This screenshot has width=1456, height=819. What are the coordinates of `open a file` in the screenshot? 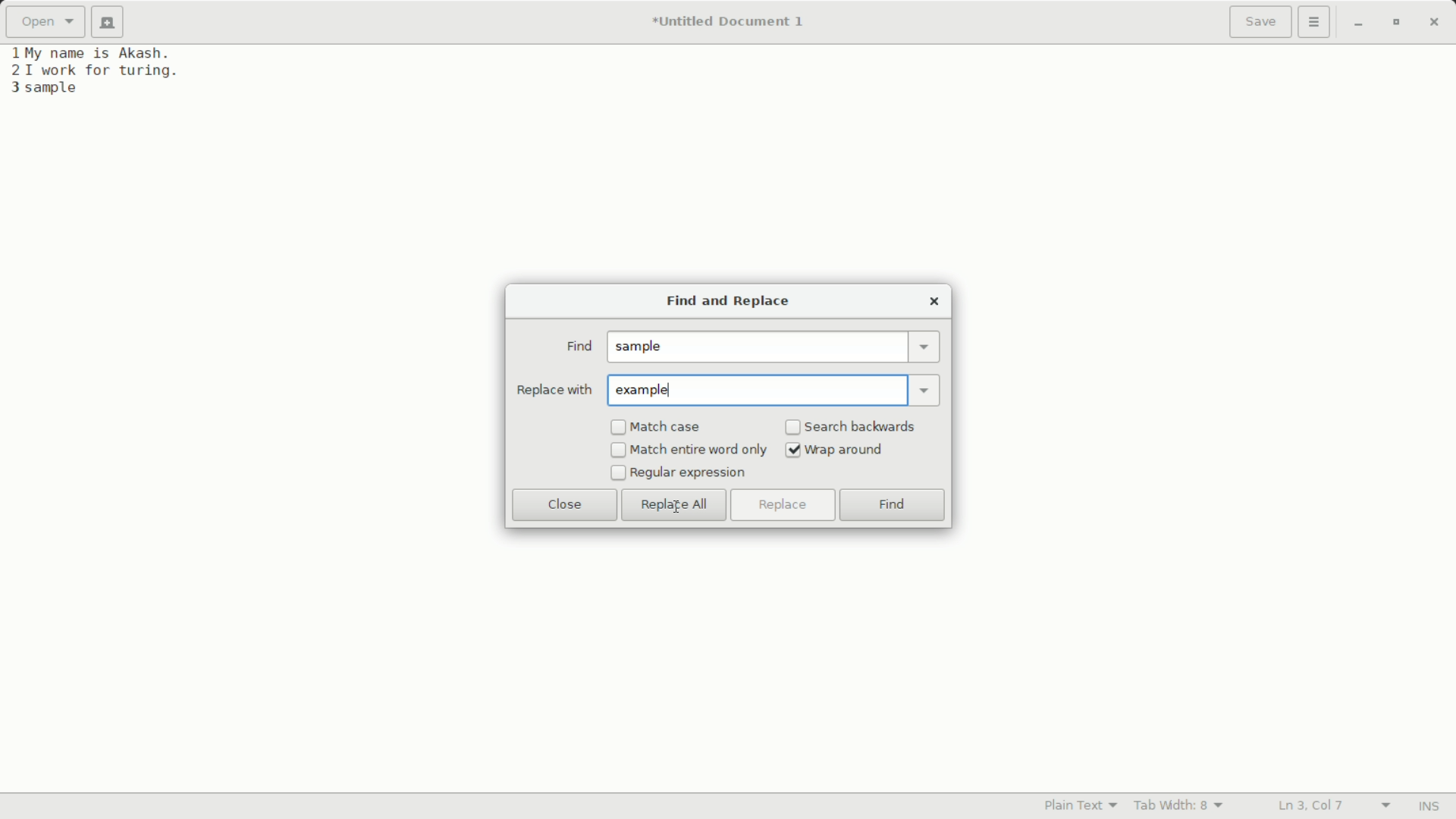 It's located at (45, 22).